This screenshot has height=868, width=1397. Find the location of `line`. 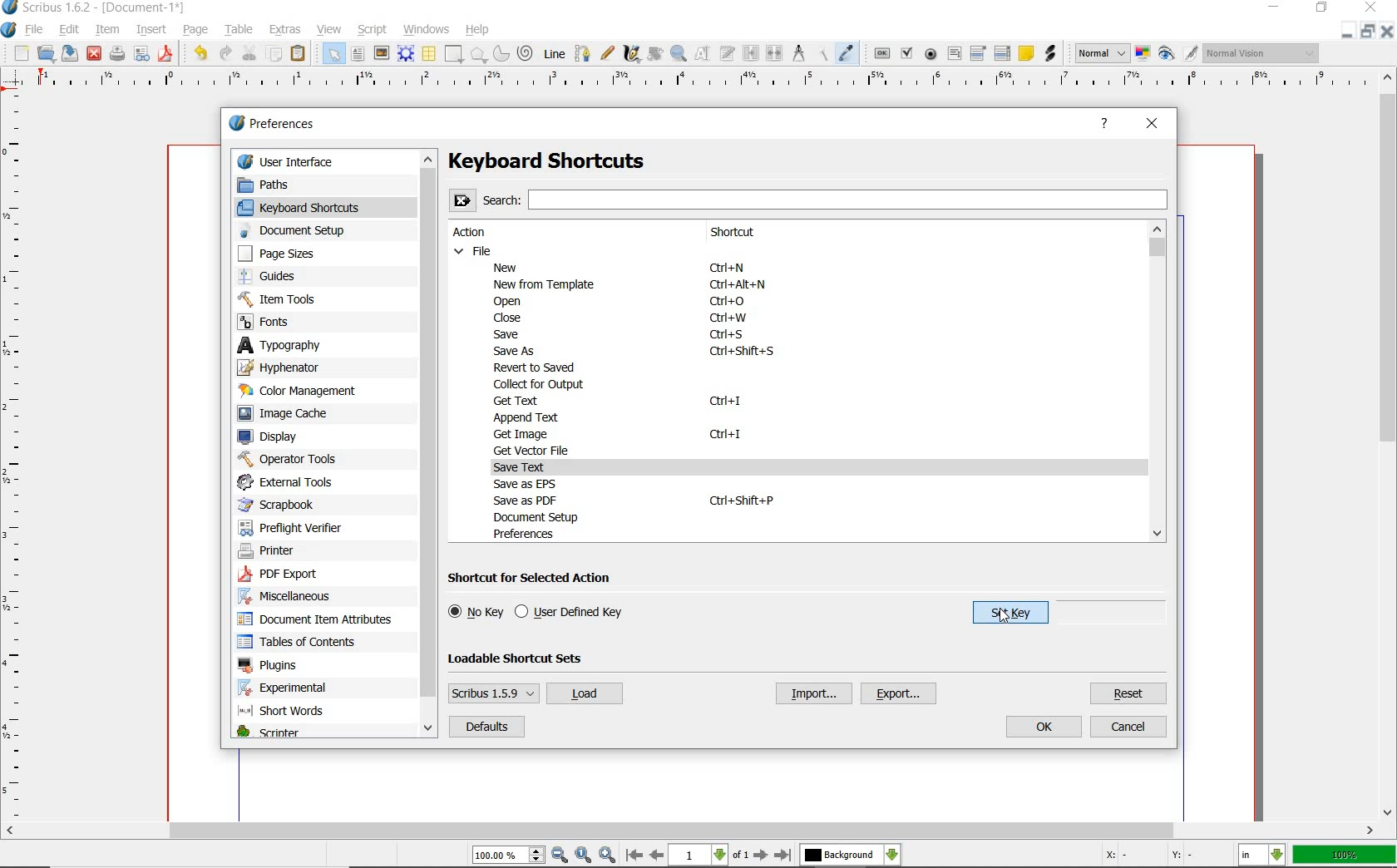

line is located at coordinates (553, 54).